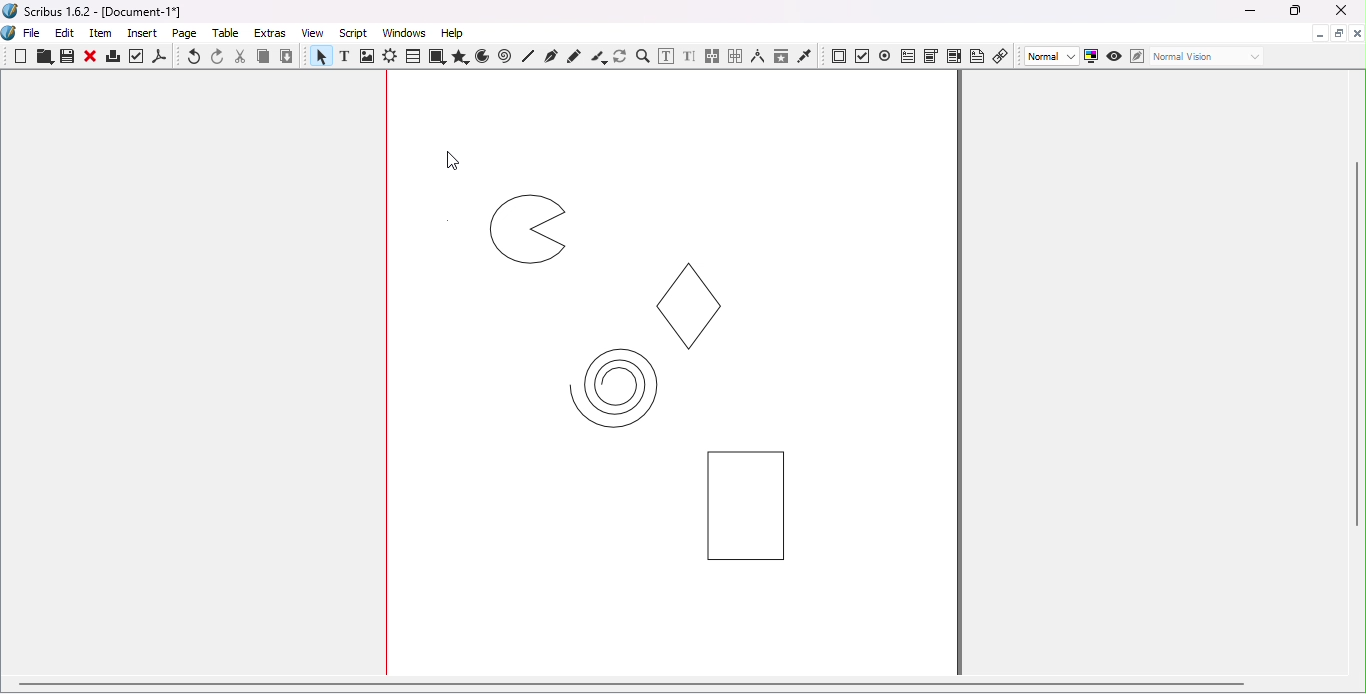 The width and height of the screenshot is (1366, 694). I want to click on Edit text with story editor, so click(689, 57).